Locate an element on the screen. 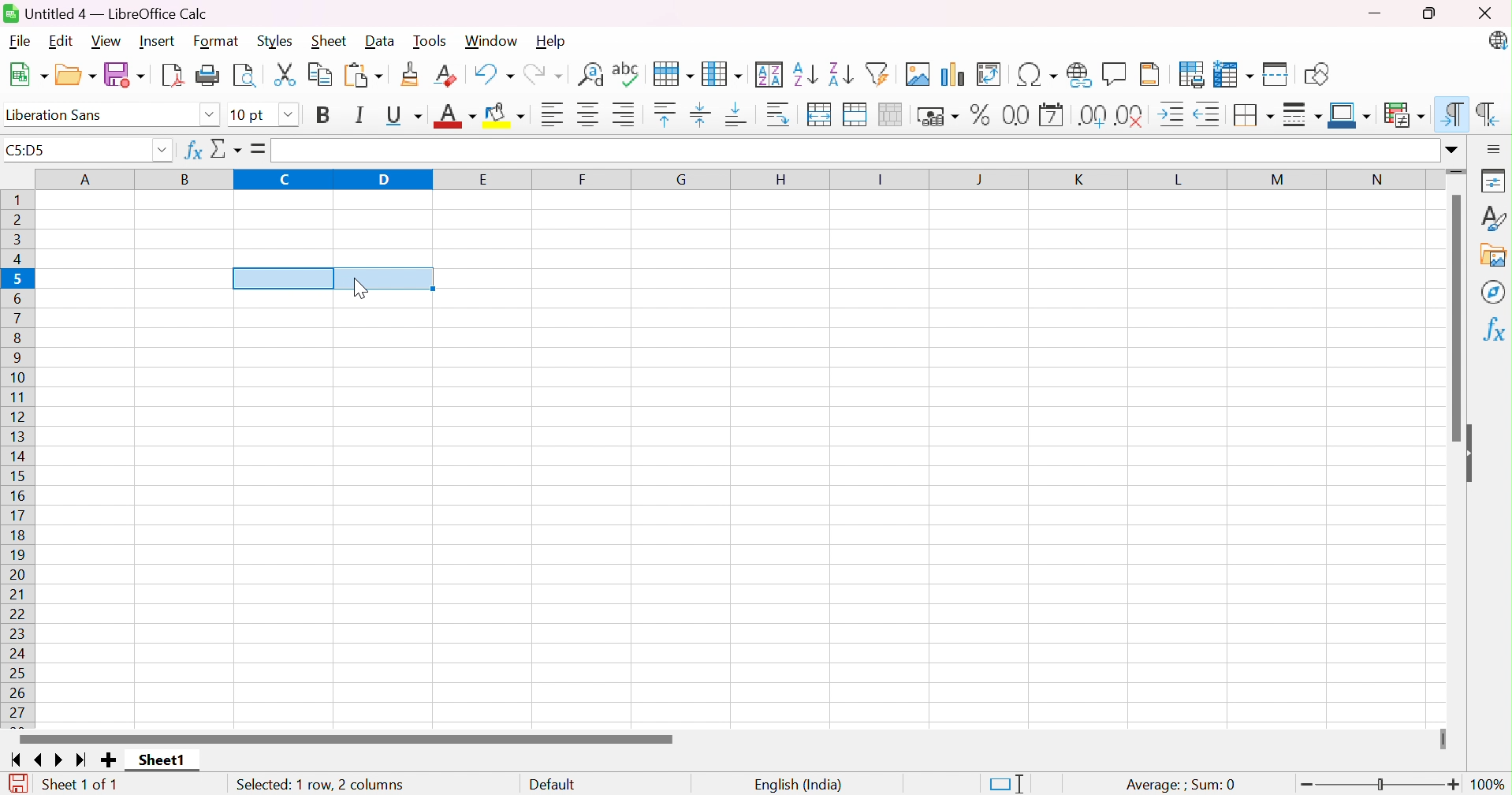 The height and width of the screenshot is (795, 1512). Function Wizard is located at coordinates (191, 151).